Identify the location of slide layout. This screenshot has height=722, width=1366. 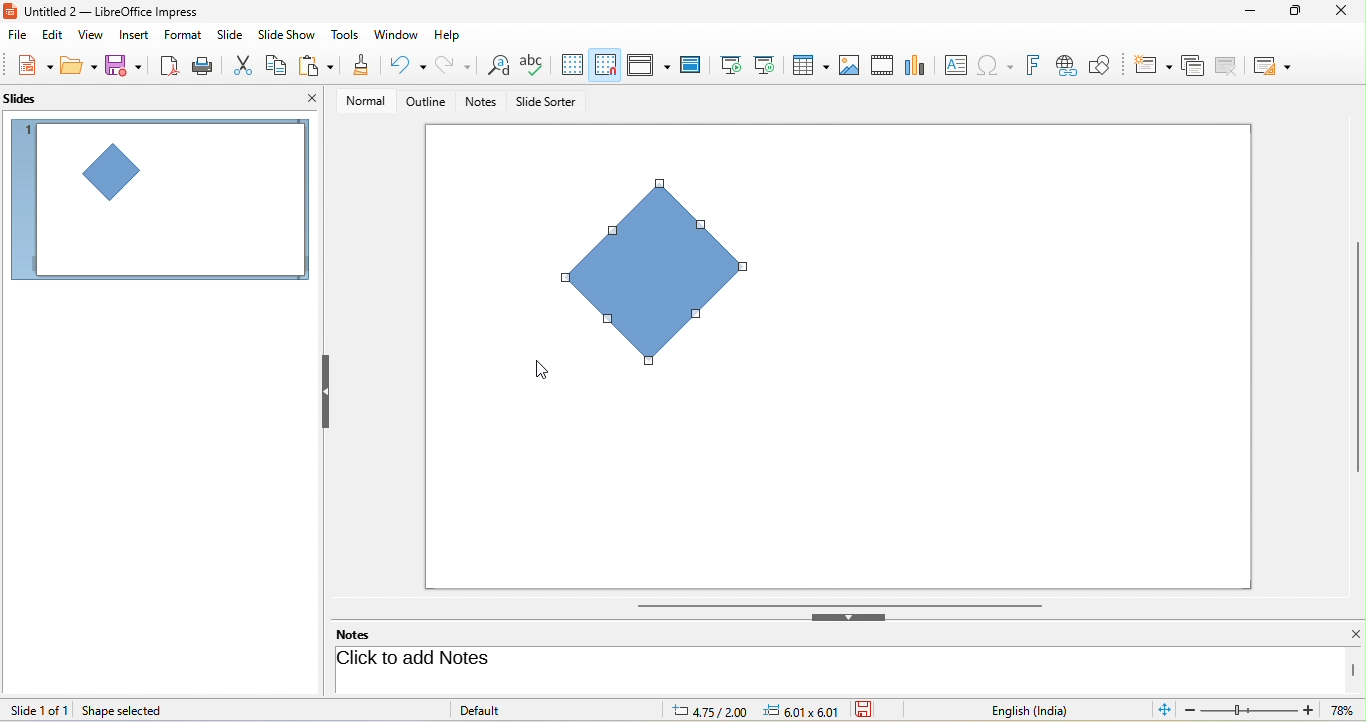
(1277, 64).